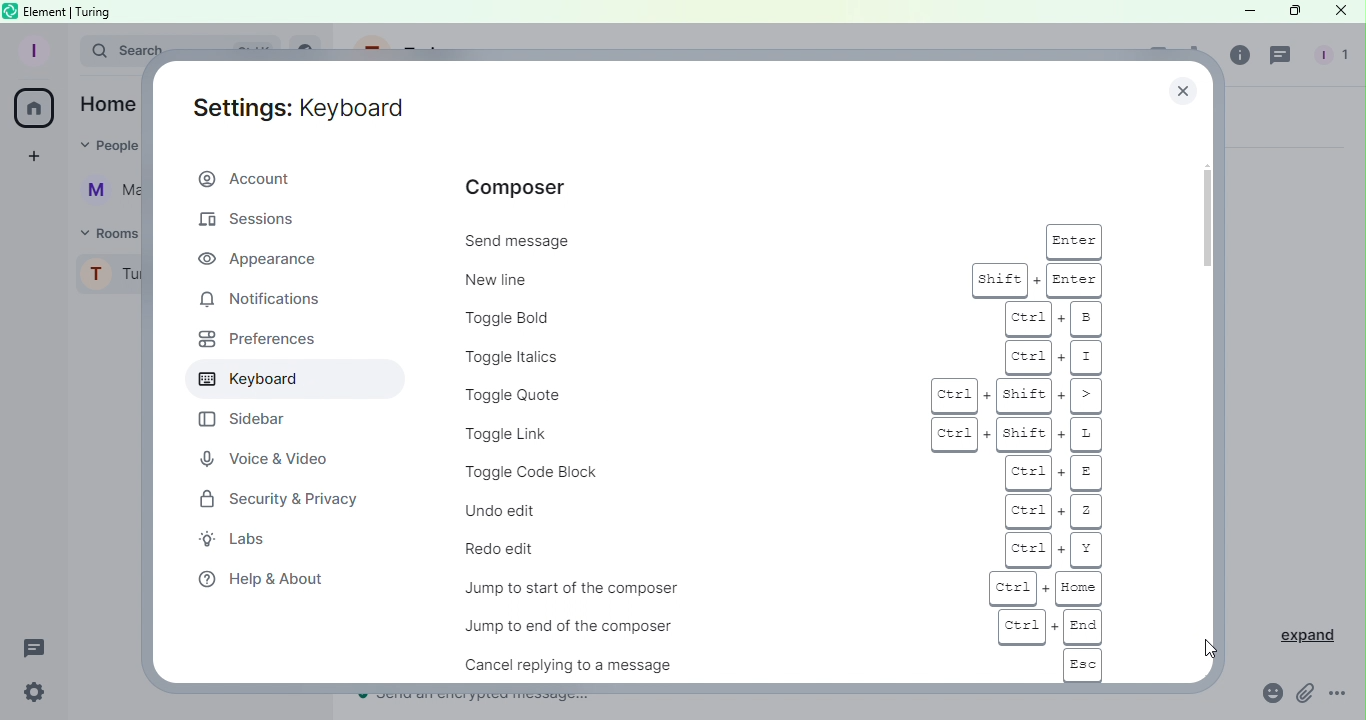 The height and width of the screenshot is (720, 1366). I want to click on Cancel replying to a message, so click(647, 664).